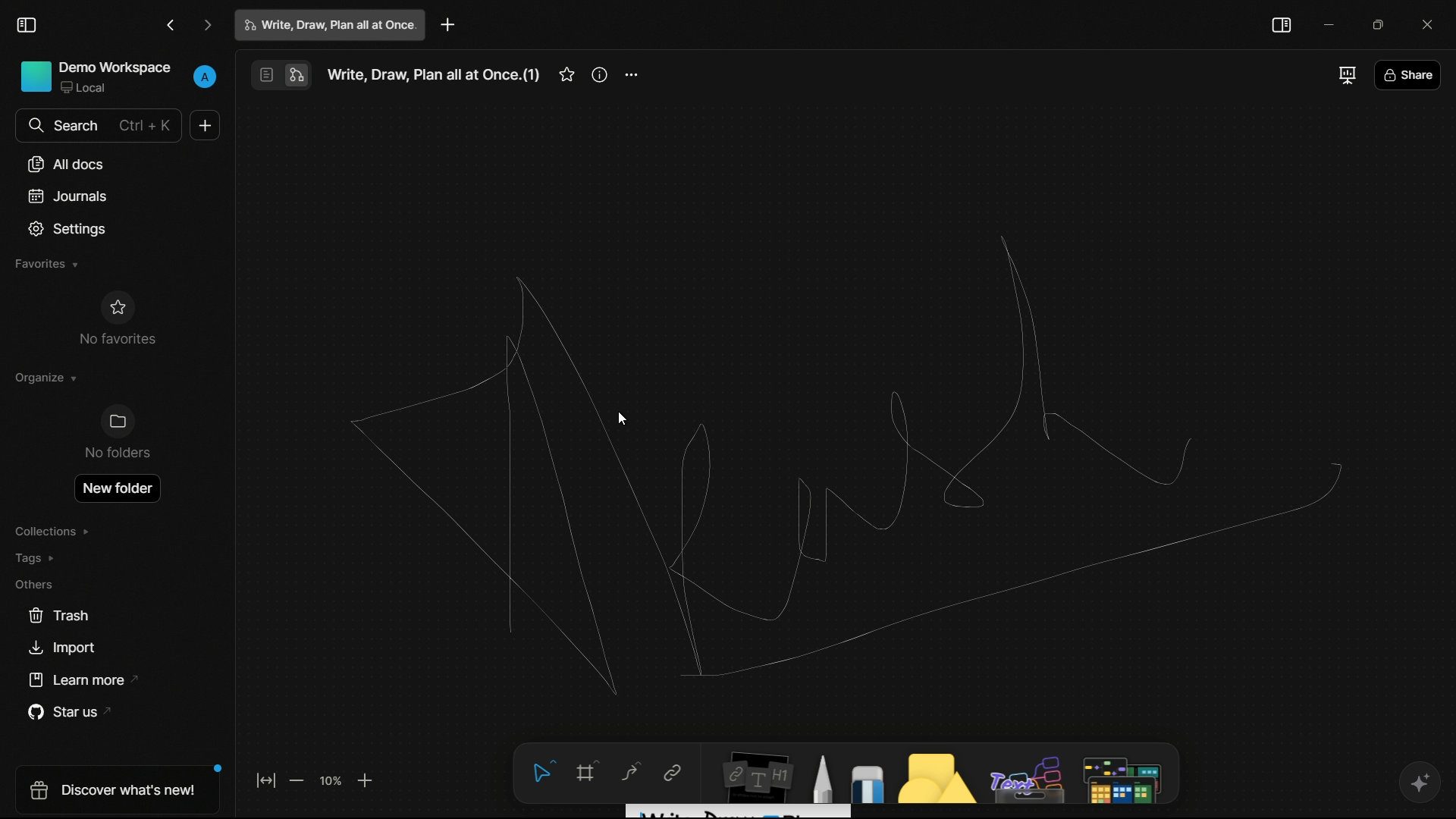 This screenshot has width=1456, height=819. What do you see at coordinates (1376, 26) in the screenshot?
I see `maximize or restore` at bounding box center [1376, 26].